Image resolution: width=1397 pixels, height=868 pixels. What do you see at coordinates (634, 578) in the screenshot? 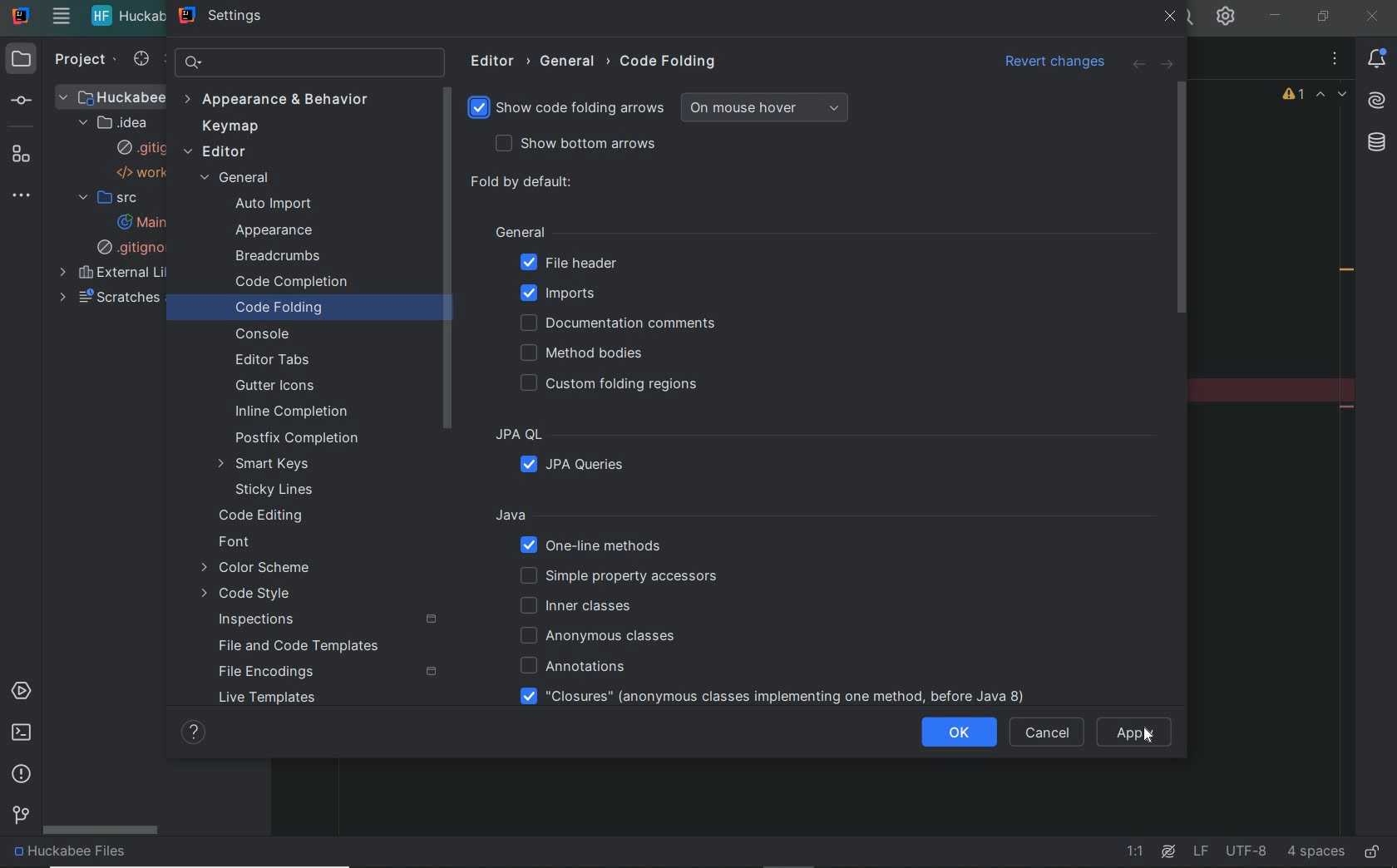
I see `simple property accessors` at bounding box center [634, 578].